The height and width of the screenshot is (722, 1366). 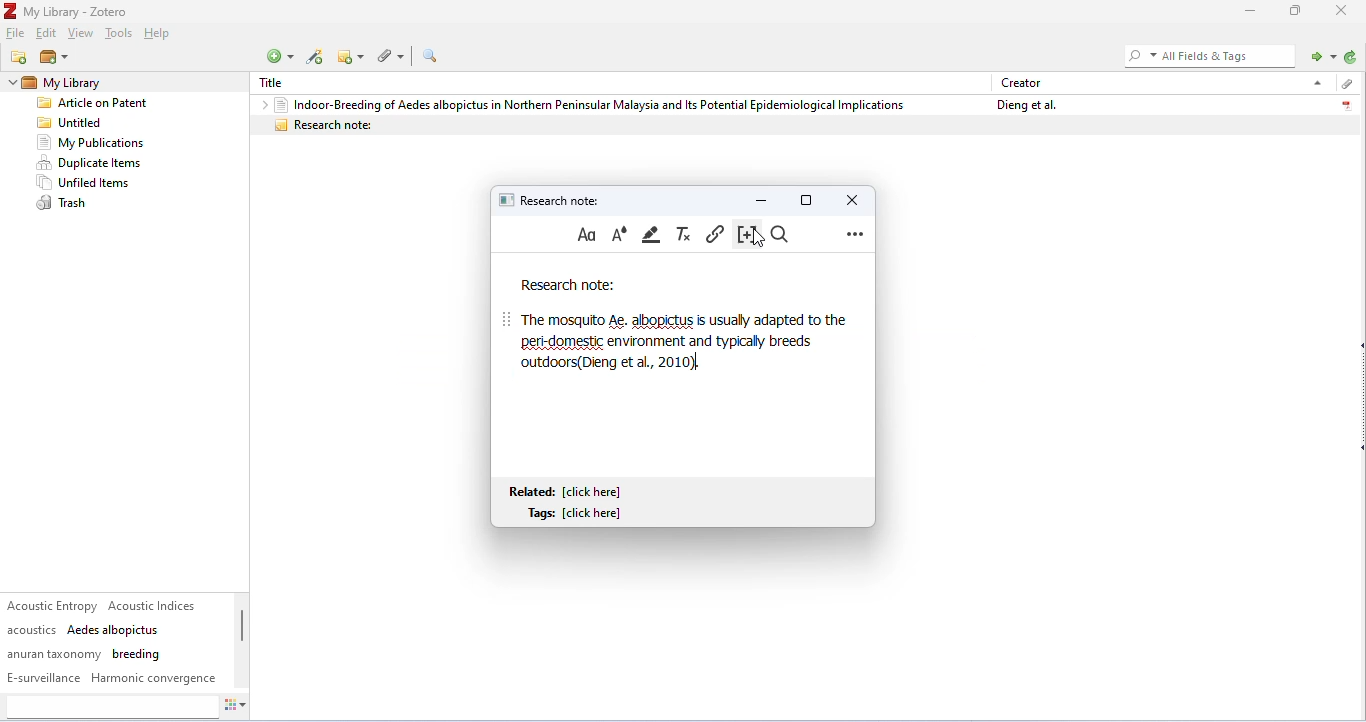 I want to click on close, so click(x=1344, y=10).